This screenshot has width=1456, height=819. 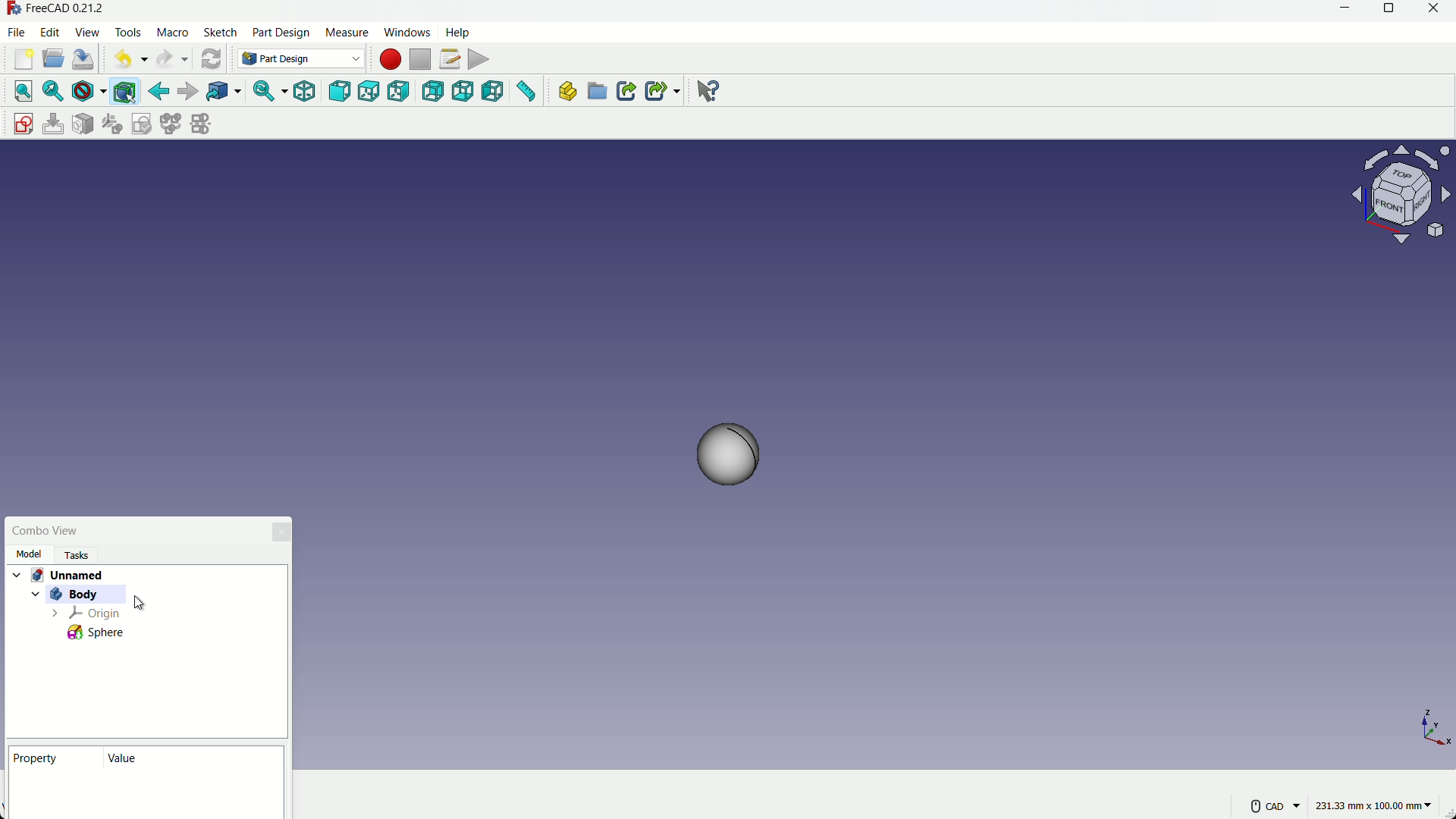 What do you see at coordinates (88, 92) in the screenshot?
I see `draw styles` at bounding box center [88, 92].